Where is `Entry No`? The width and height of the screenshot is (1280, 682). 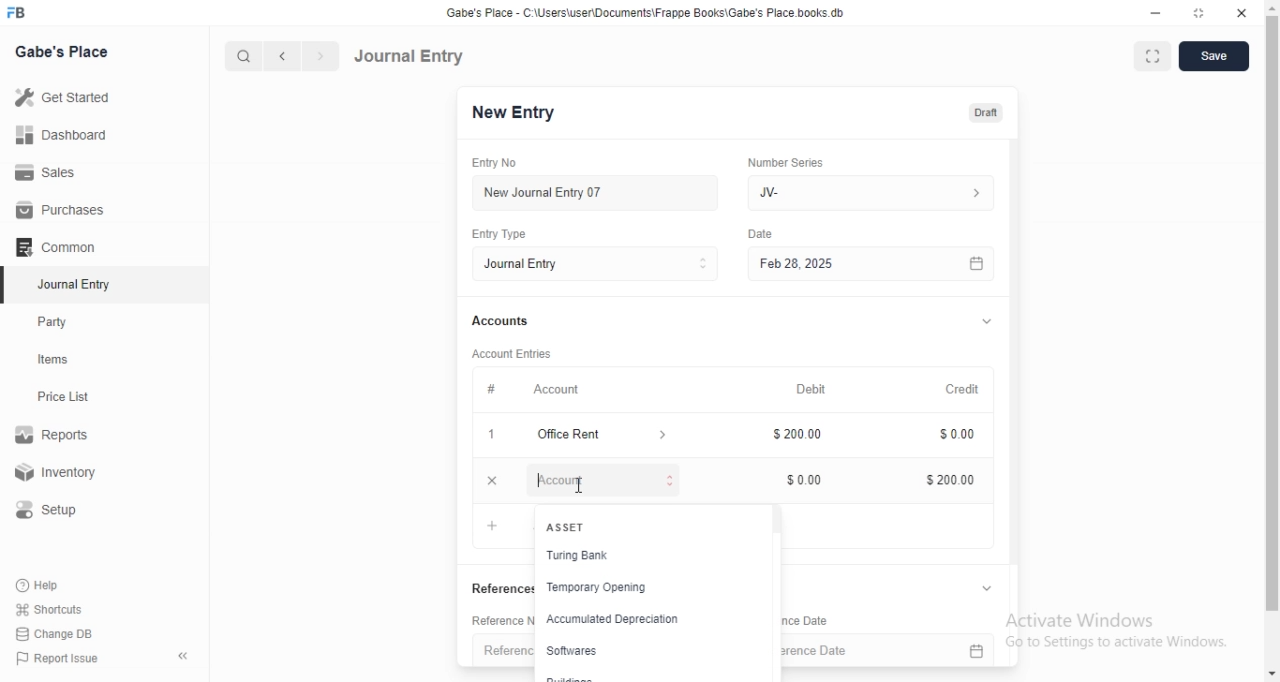
Entry No is located at coordinates (506, 163).